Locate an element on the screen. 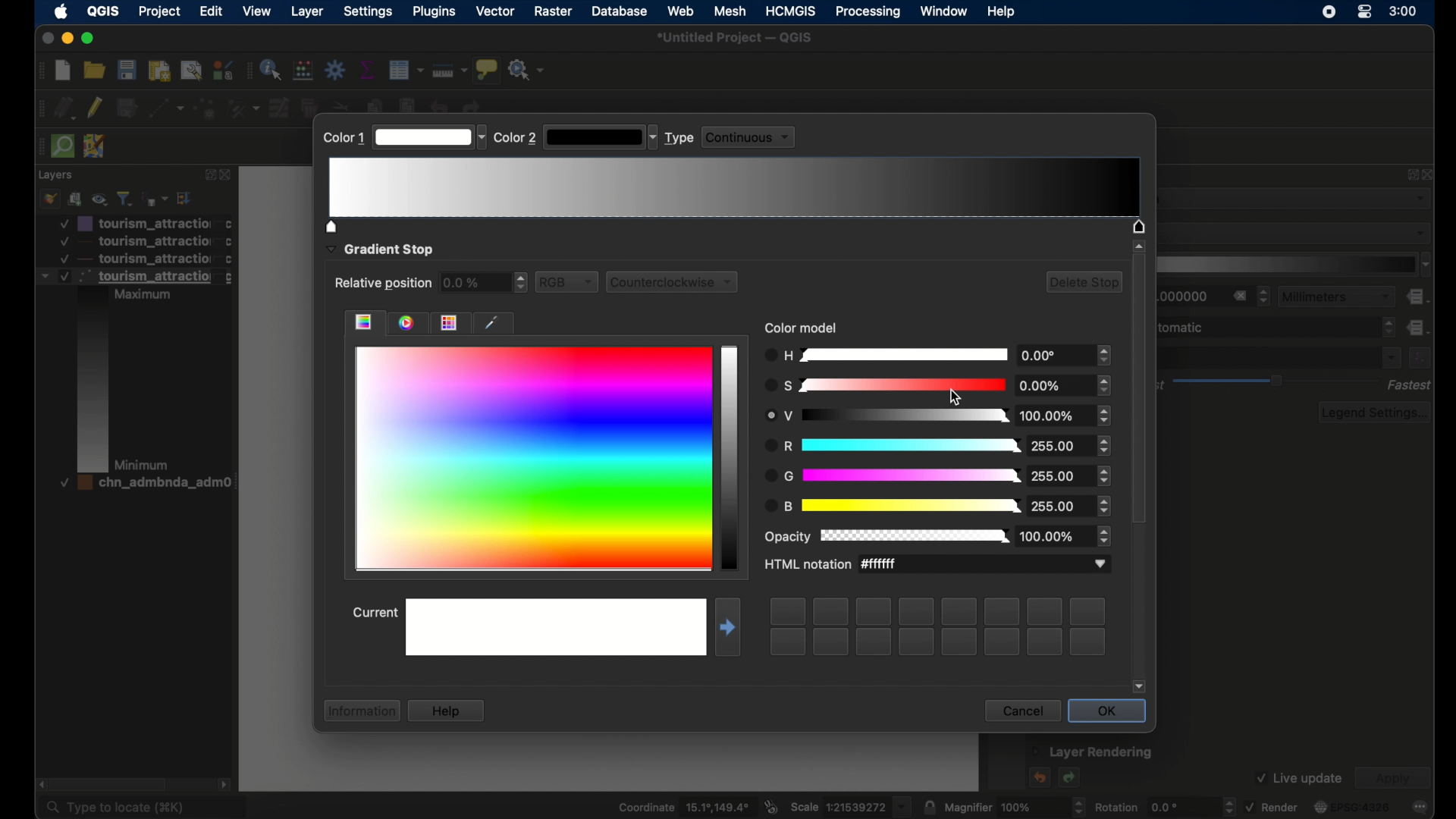 This screenshot has width=1456, height=819. canvas is located at coordinates (610, 764).